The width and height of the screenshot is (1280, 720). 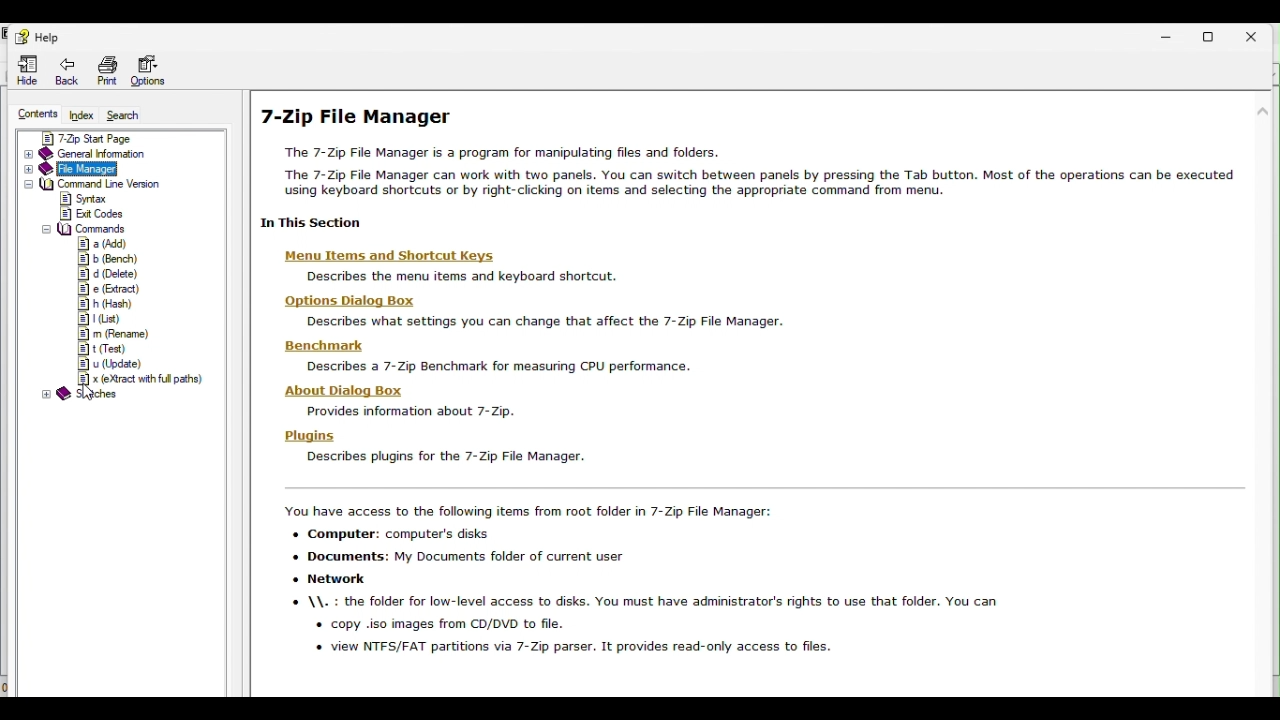 I want to click on ‘Menu Items and Shortcut Keys, so click(x=403, y=256).